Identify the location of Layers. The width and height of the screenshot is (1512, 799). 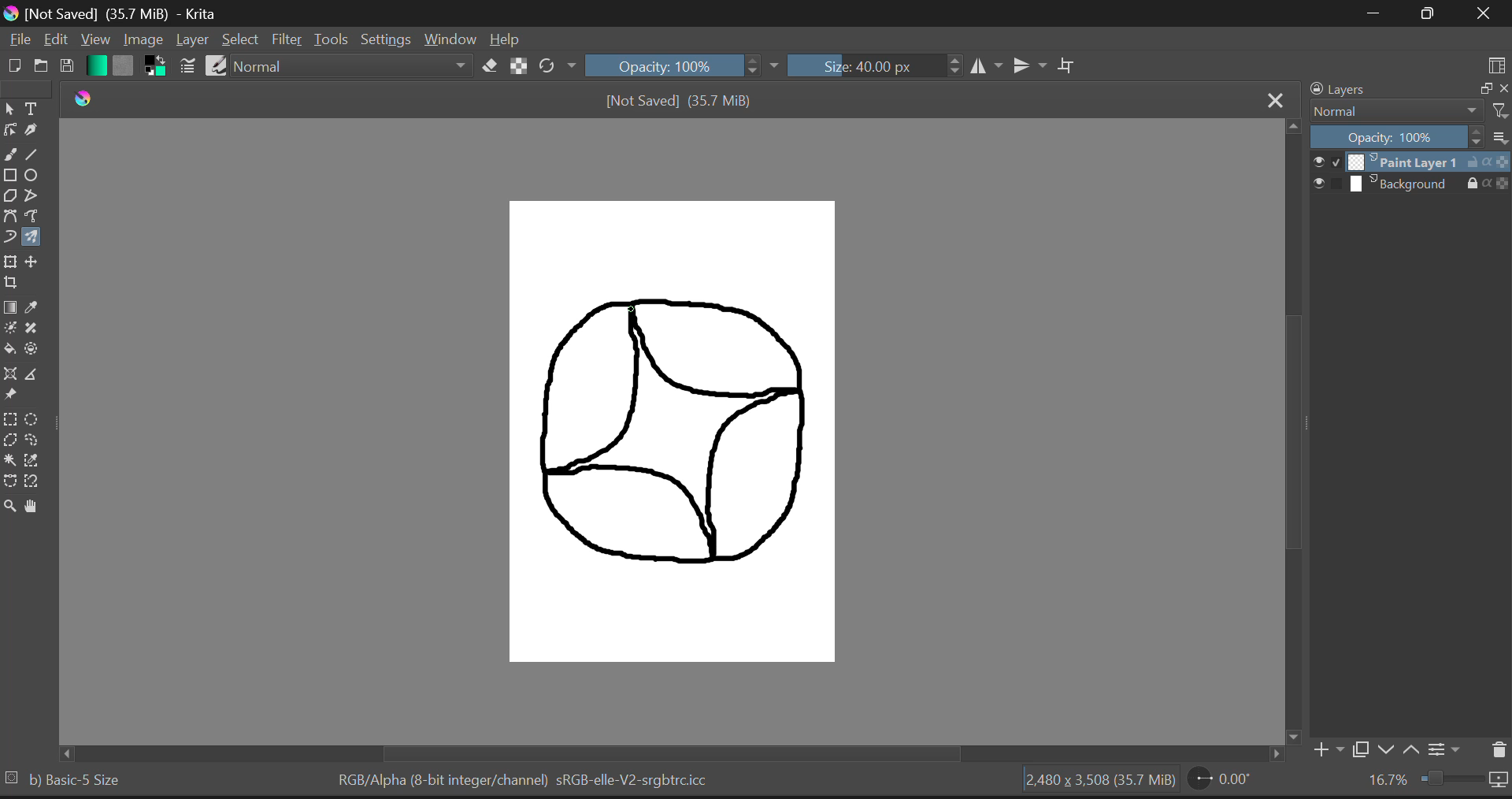
(1342, 90).